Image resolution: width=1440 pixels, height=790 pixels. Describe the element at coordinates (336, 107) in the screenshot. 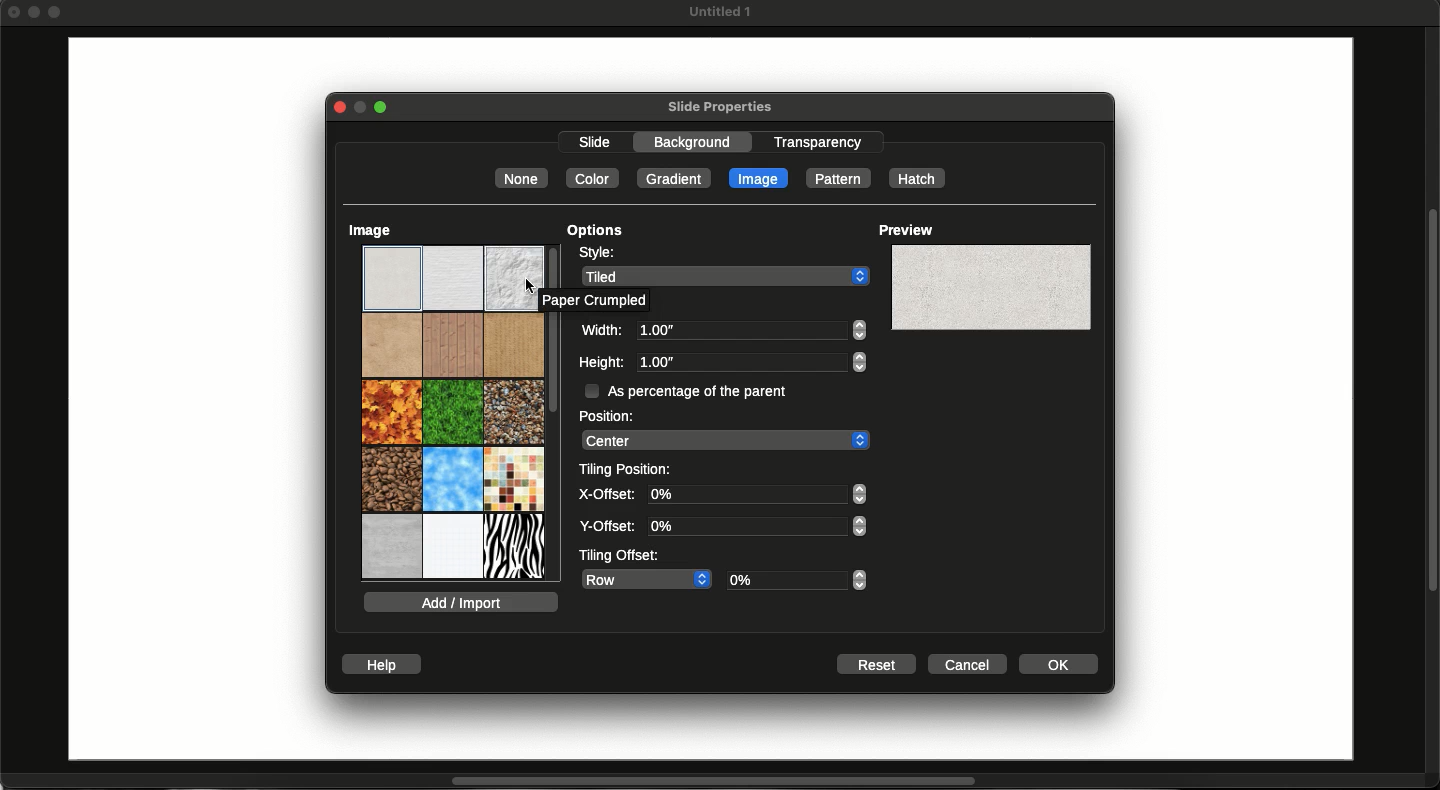

I see `Close` at that location.